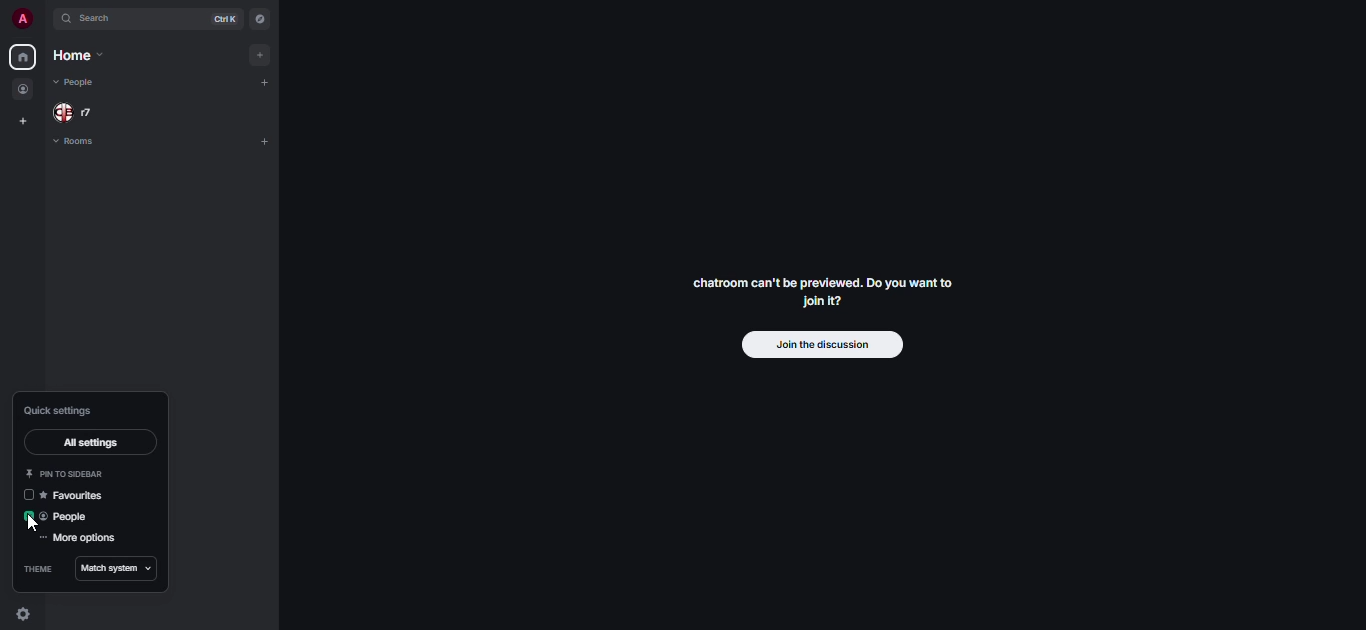 The image size is (1366, 630). Describe the element at coordinates (260, 19) in the screenshot. I see `navigator` at that location.